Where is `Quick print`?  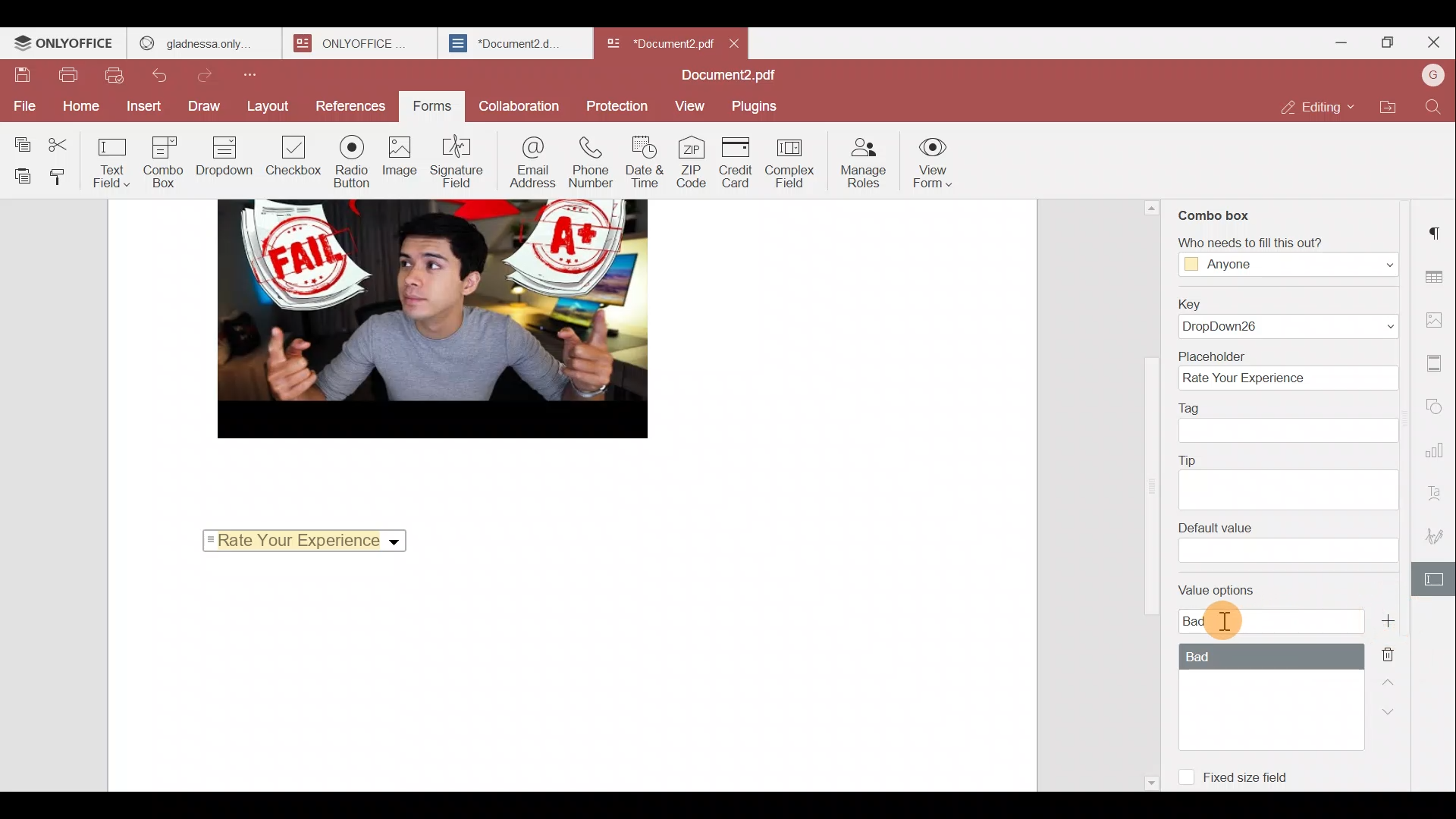 Quick print is located at coordinates (114, 76).